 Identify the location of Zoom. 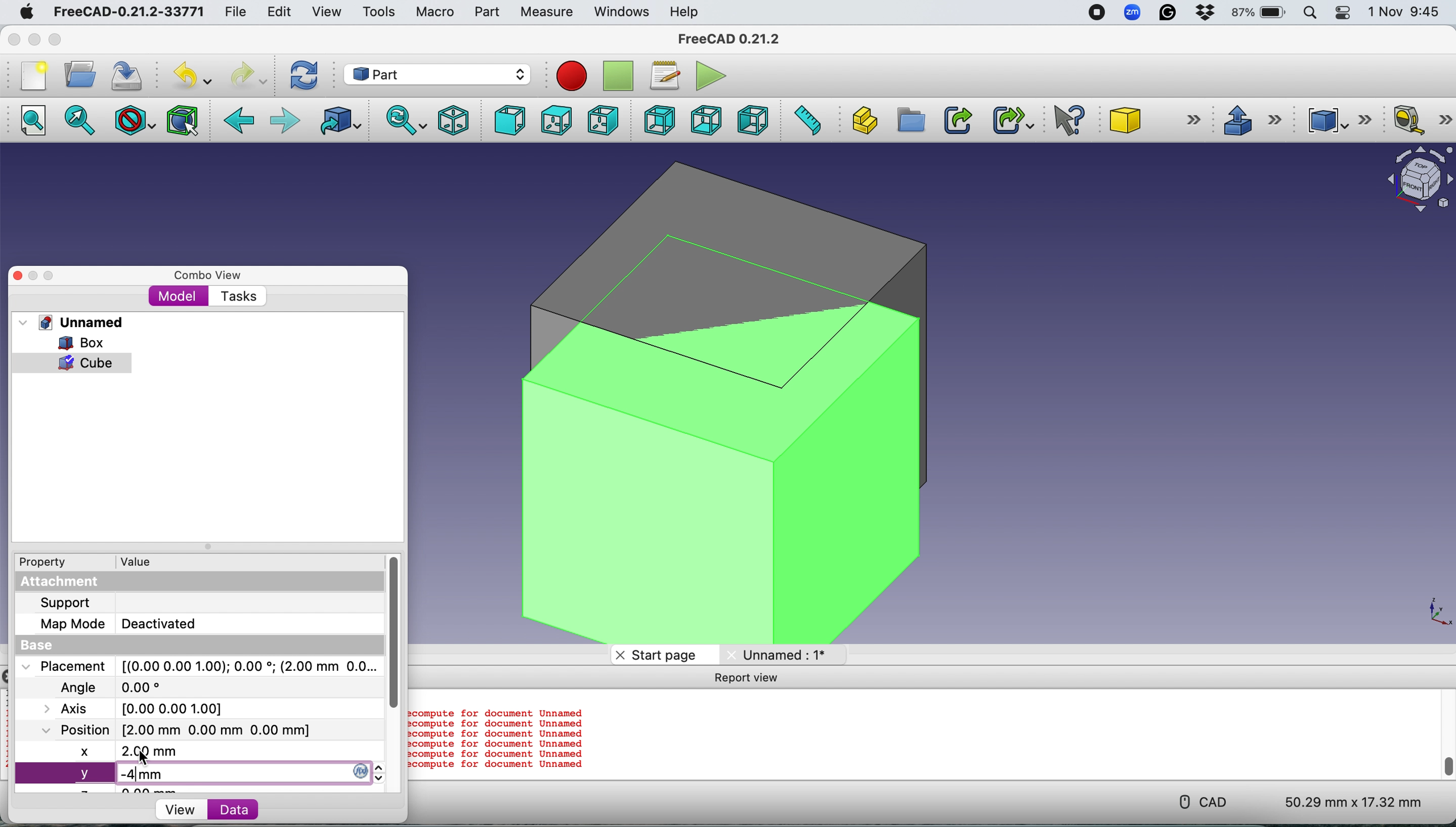
(1133, 14).